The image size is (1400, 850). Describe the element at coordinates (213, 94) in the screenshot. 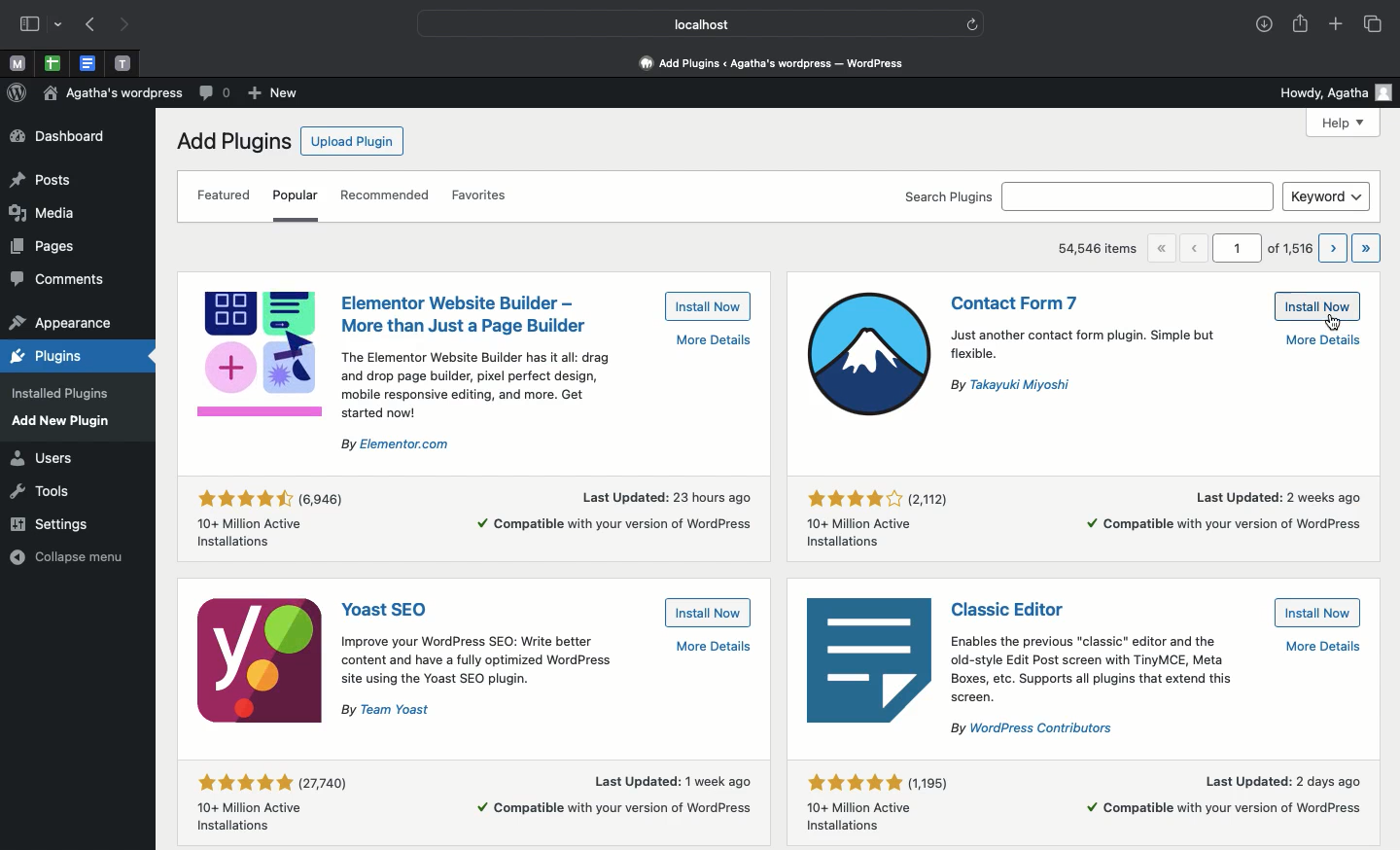

I see `Comment` at that location.